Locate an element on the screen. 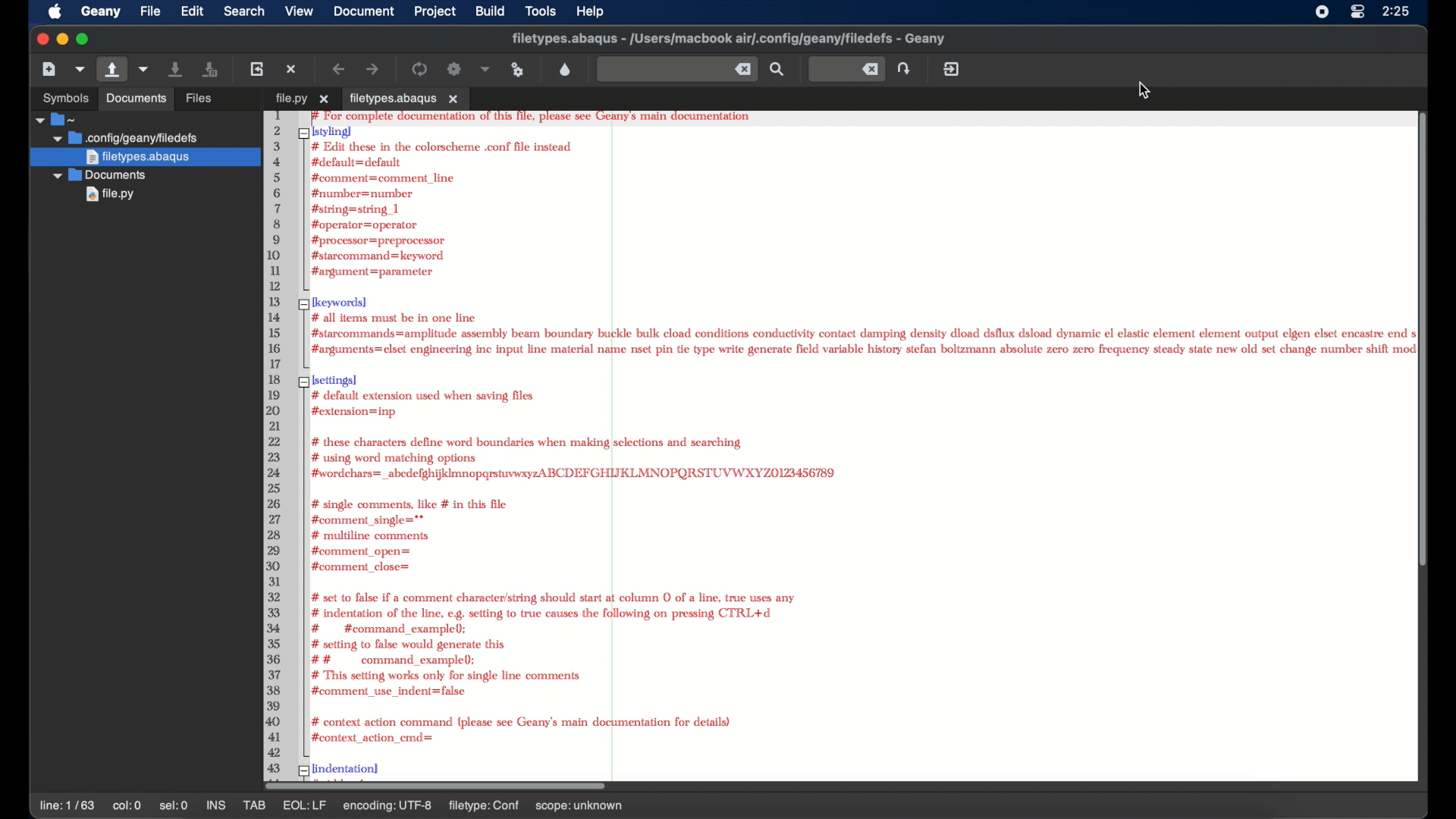  jump the entered line number is located at coordinates (906, 68).